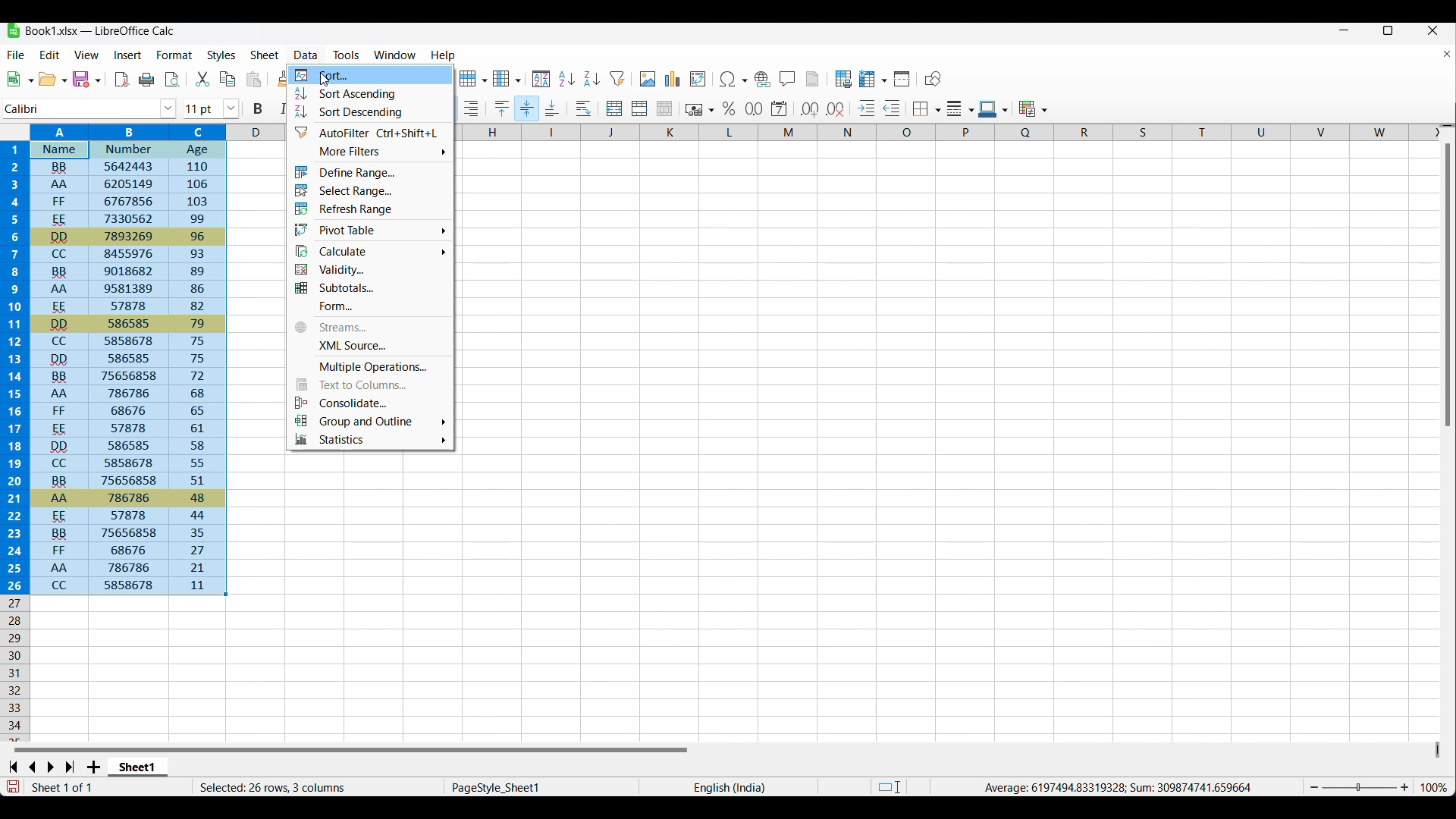 Image resolution: width=1456 pixels, height=819 pixels. What do you see at coordinates (1314, 787) in the screenshot?
I see `Zoom out` at bounding box center [1314, 787].